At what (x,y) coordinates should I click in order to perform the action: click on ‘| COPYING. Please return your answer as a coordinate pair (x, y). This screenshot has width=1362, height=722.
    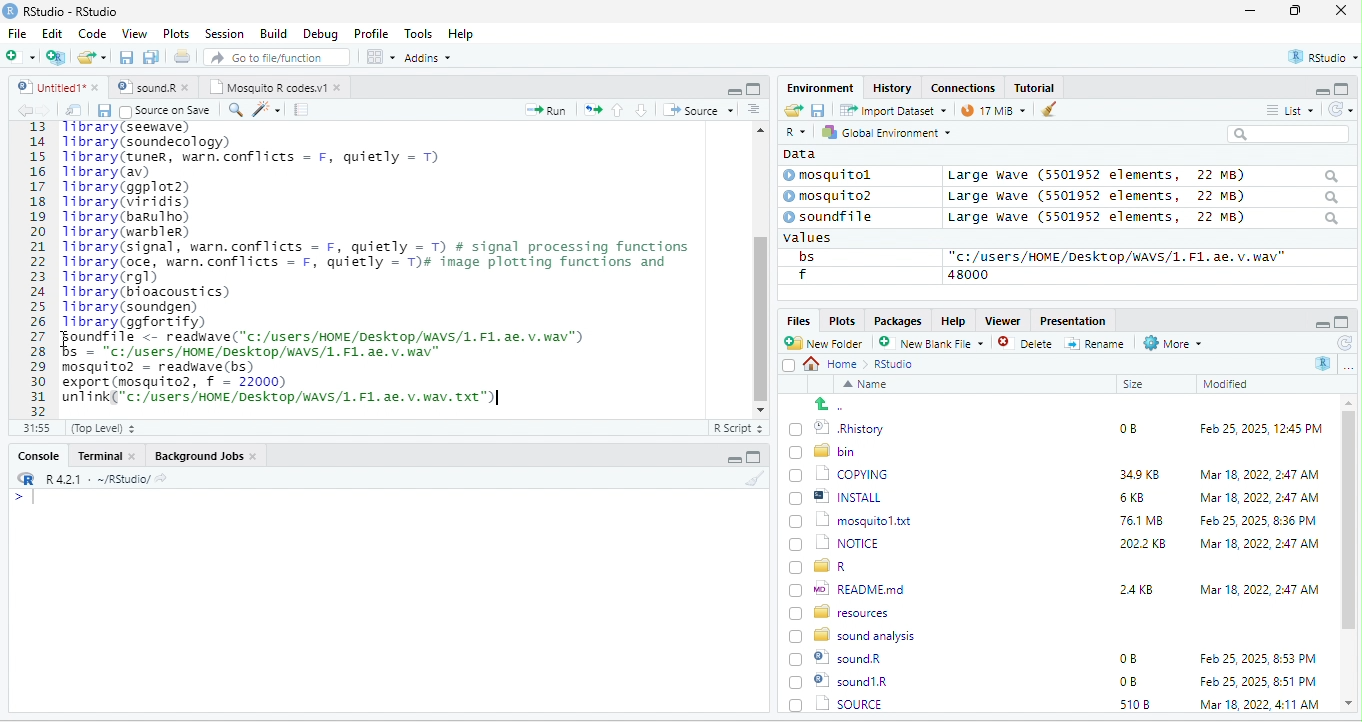
    Looking at the image, I should click on (839, 473).